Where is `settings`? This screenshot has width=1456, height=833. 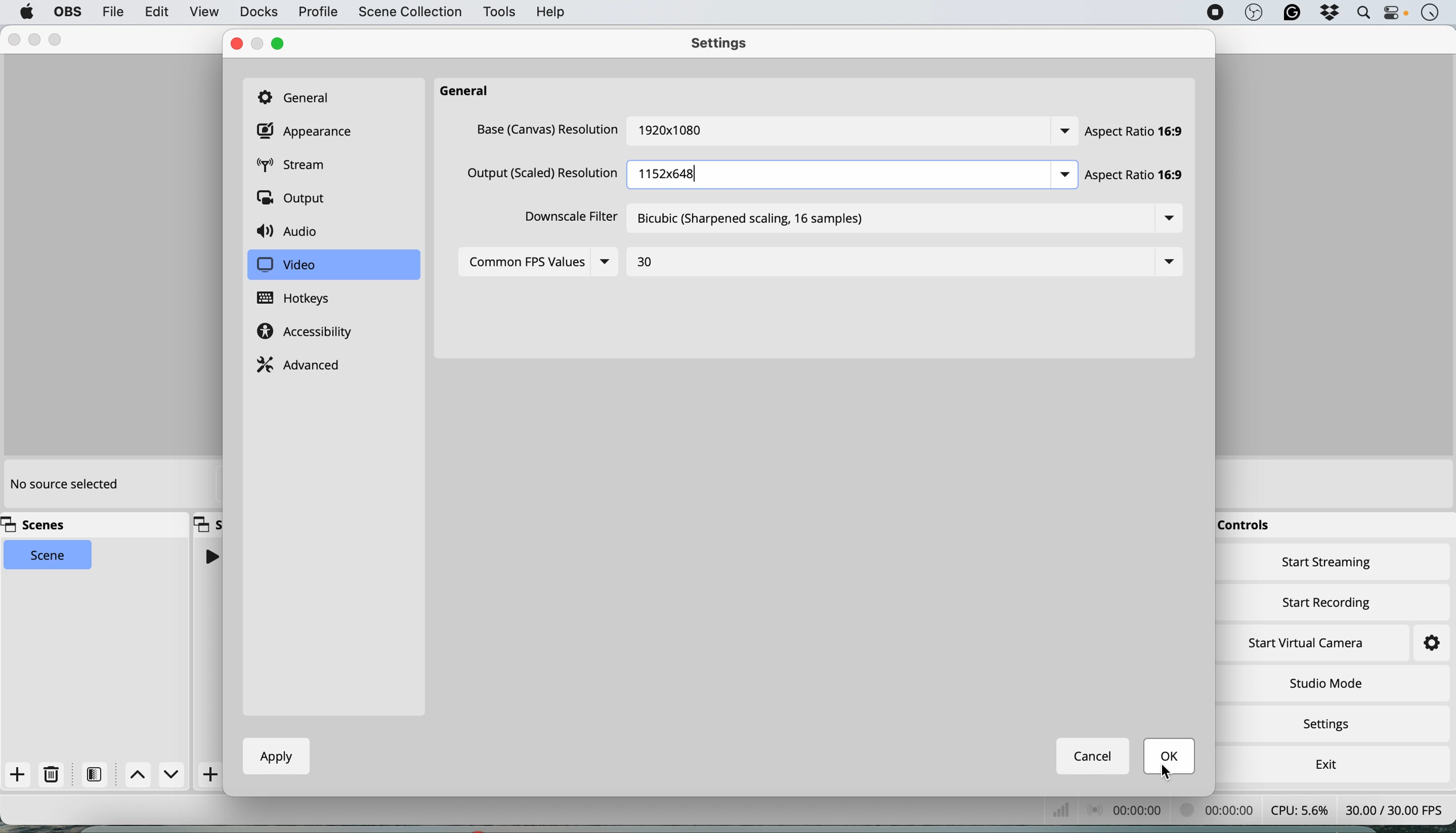 settings is located at coordinates (725, 45).